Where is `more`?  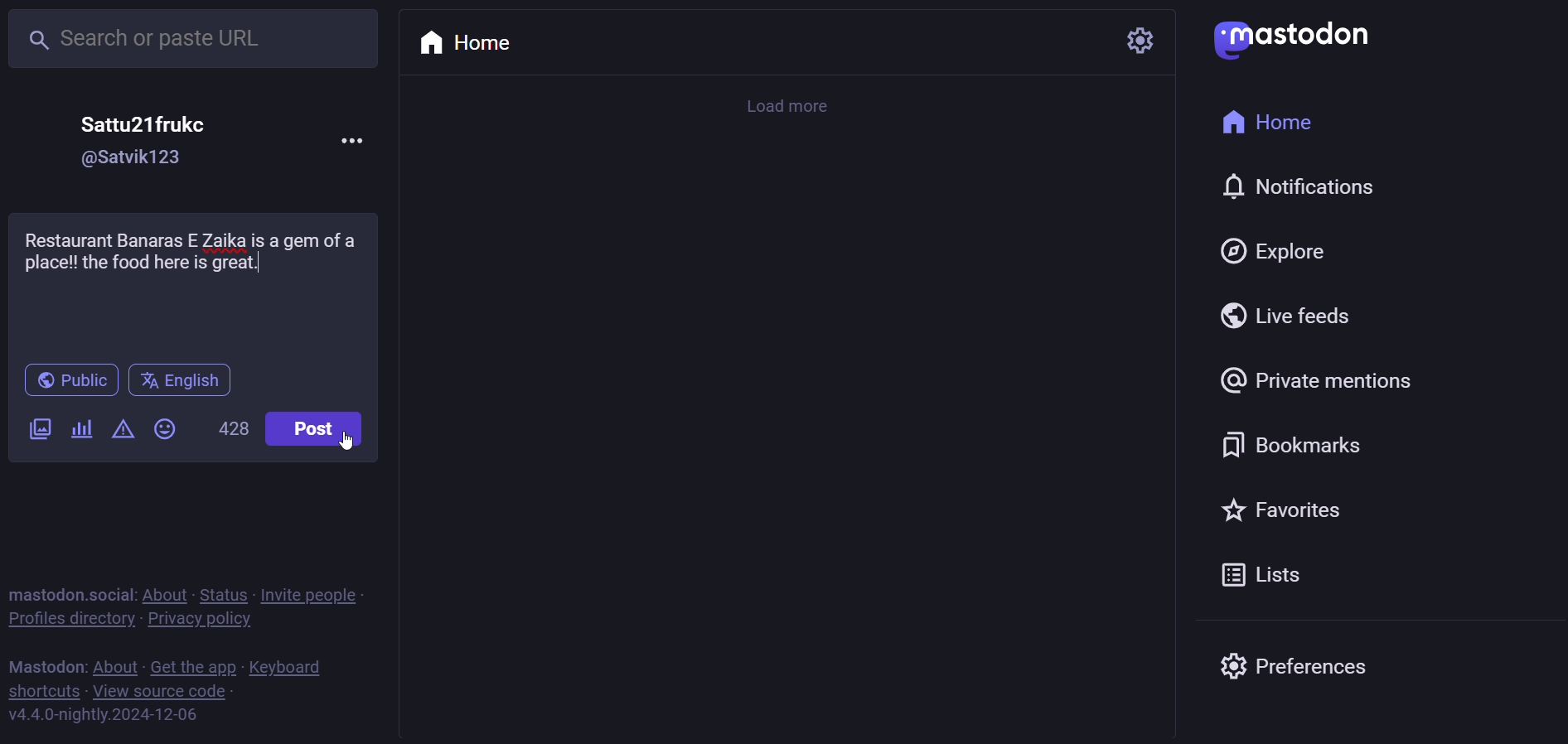 more is located at coordinates (355, 142).